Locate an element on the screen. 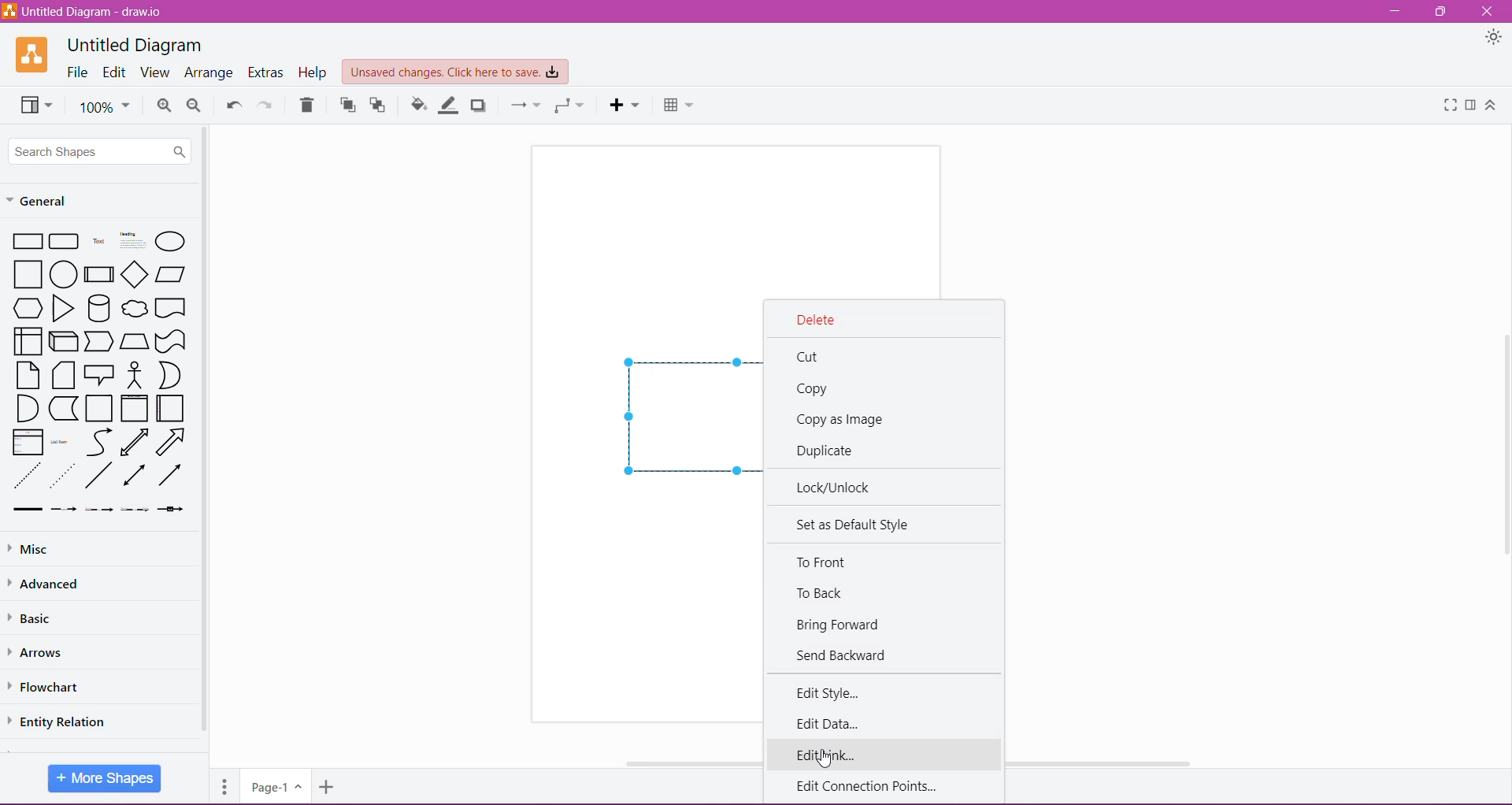  Redo is located at coordinates (268, 103).